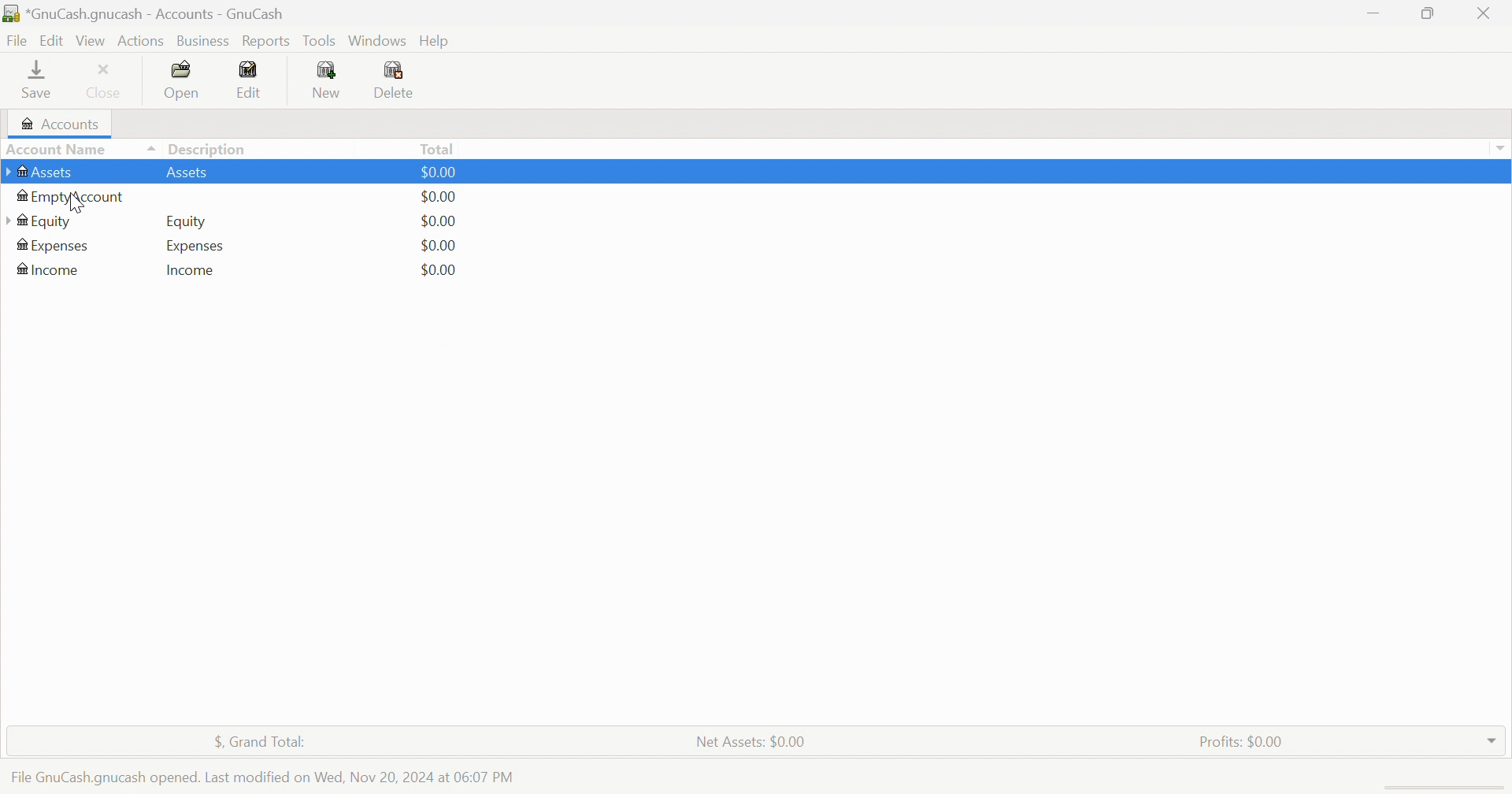 This screenshot has height=794, width=1512. What do you see at coordinates (1244, 742) in the screenshot?
I see `Profits: $0.00` at bounding box center [1244, 742].